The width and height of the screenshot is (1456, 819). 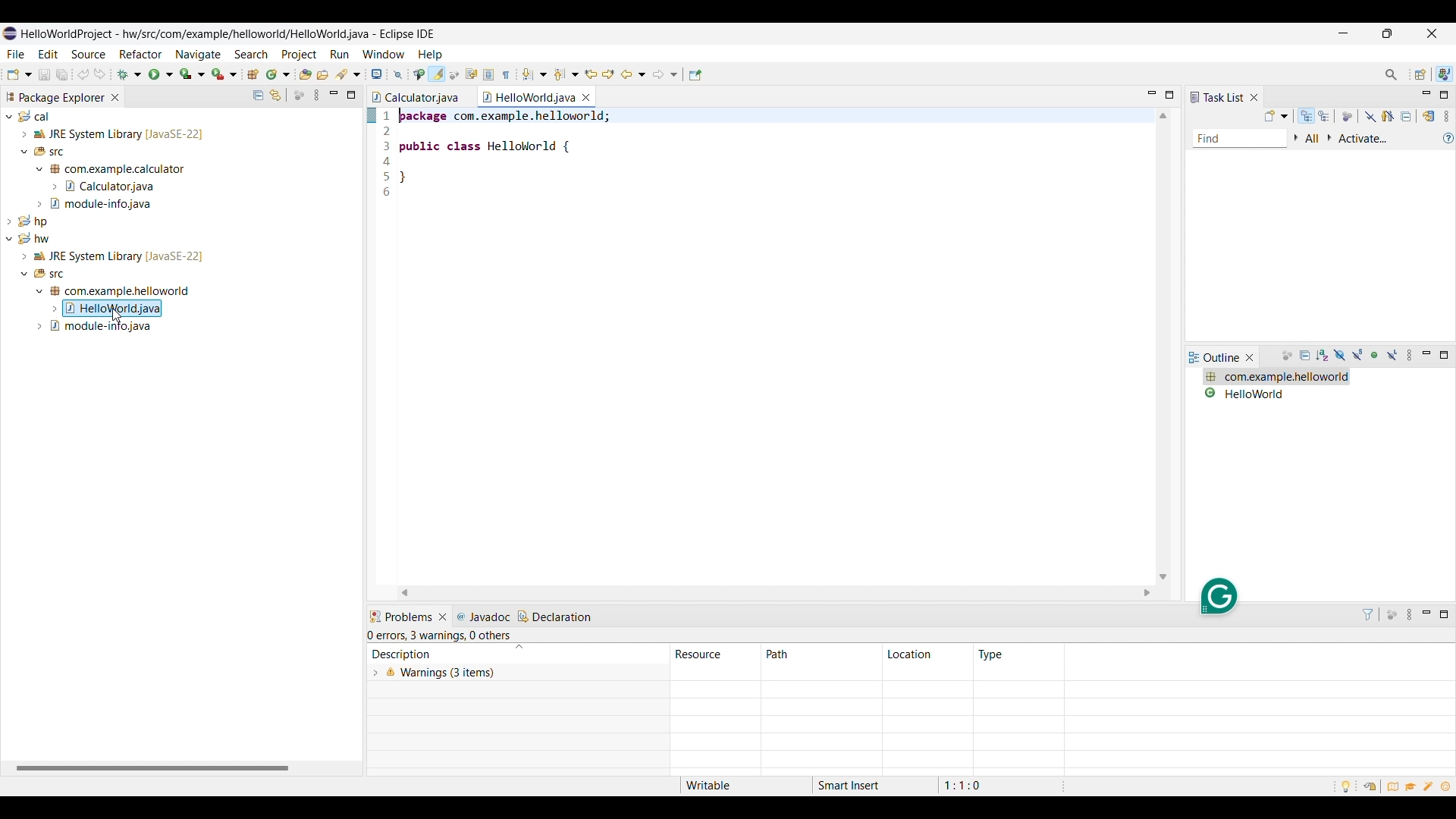 What do you see at coordinates (20, 74) in the screenshot?
I see `New options` at bounding box center [20, 74].